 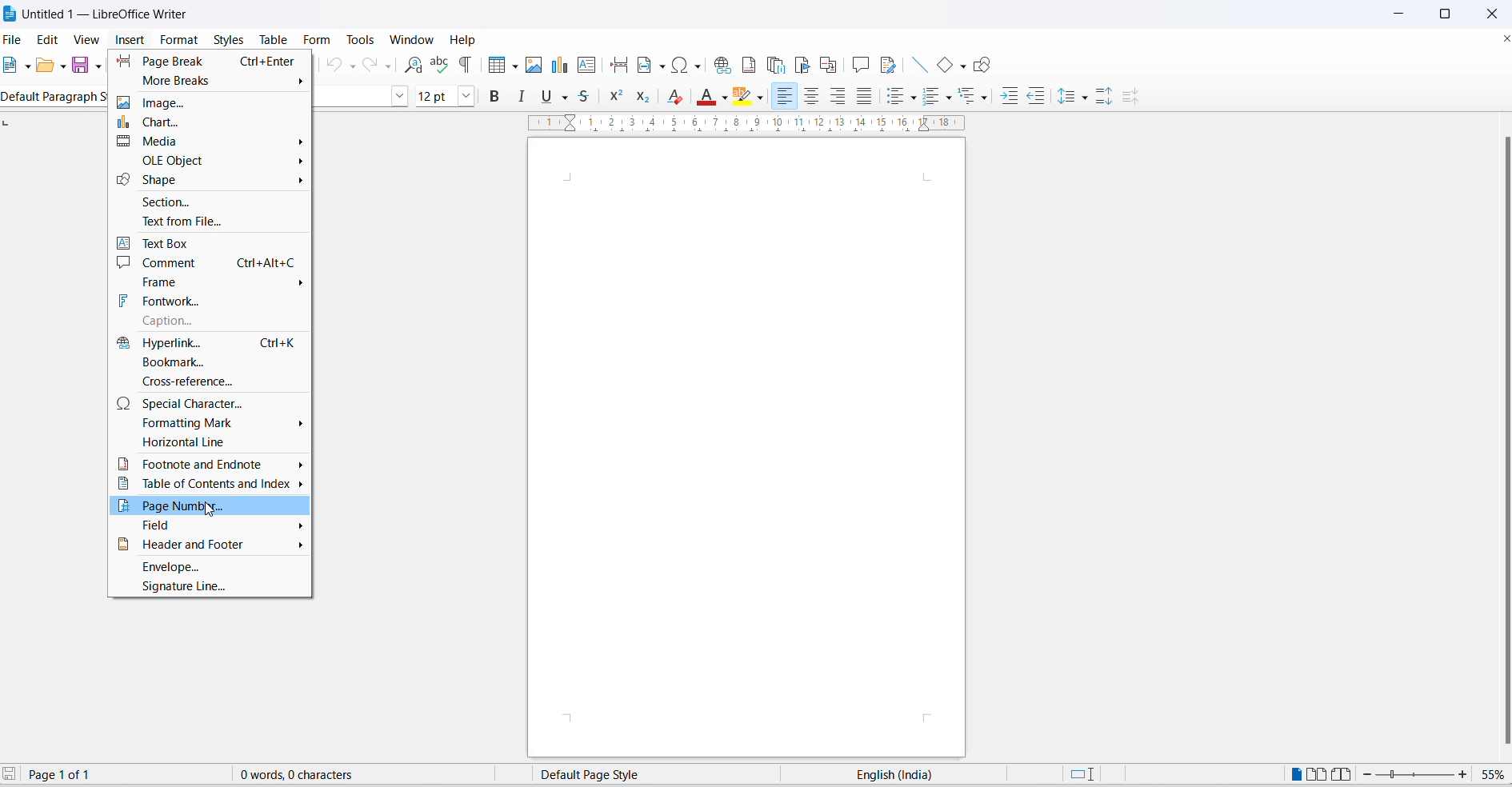 What do you see at coordinates (128, 37) in the screenshot?
I see `insert` at bounding box center [128, 37].